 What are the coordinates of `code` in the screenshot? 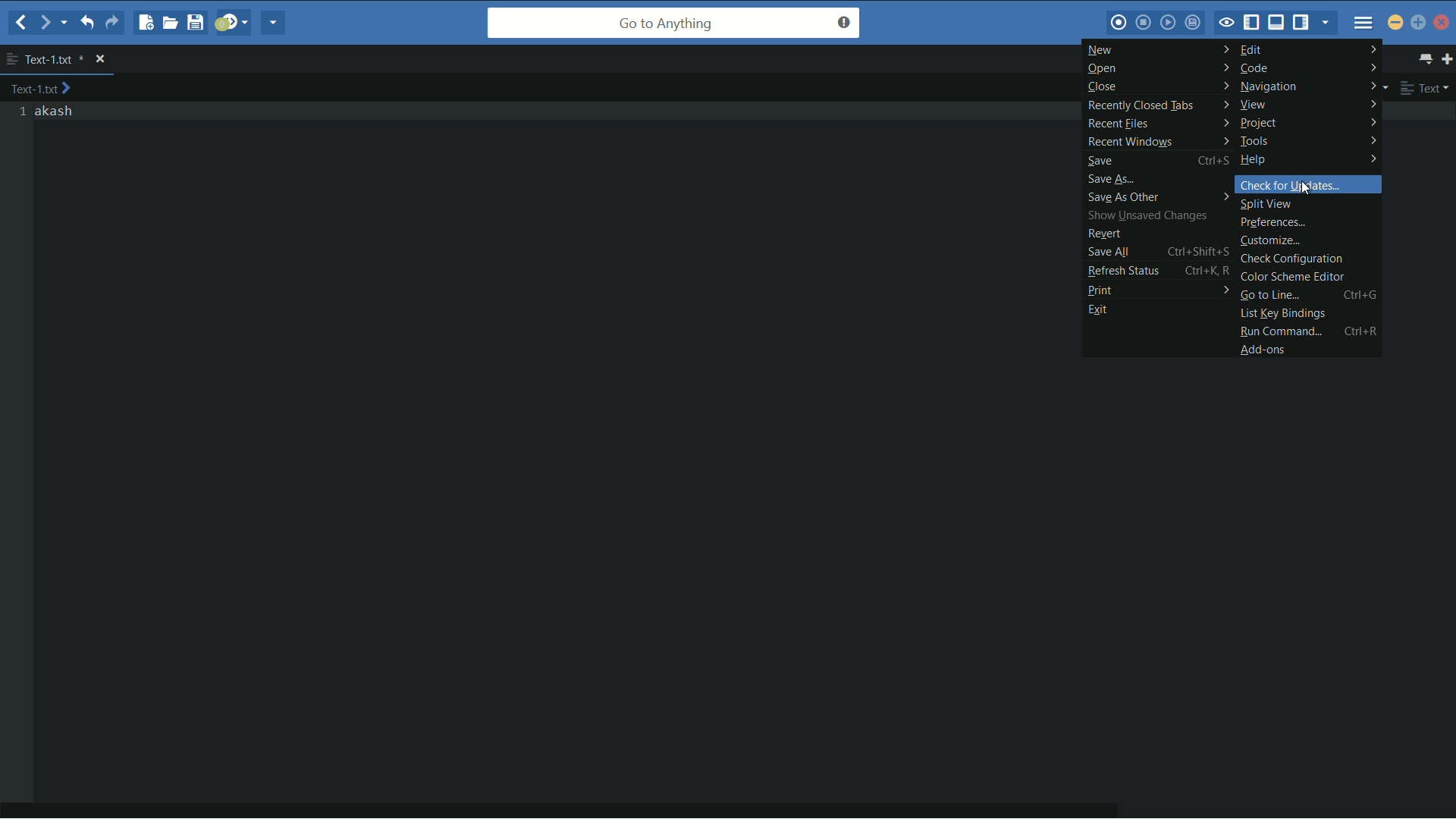 It's located at (1308, 67).